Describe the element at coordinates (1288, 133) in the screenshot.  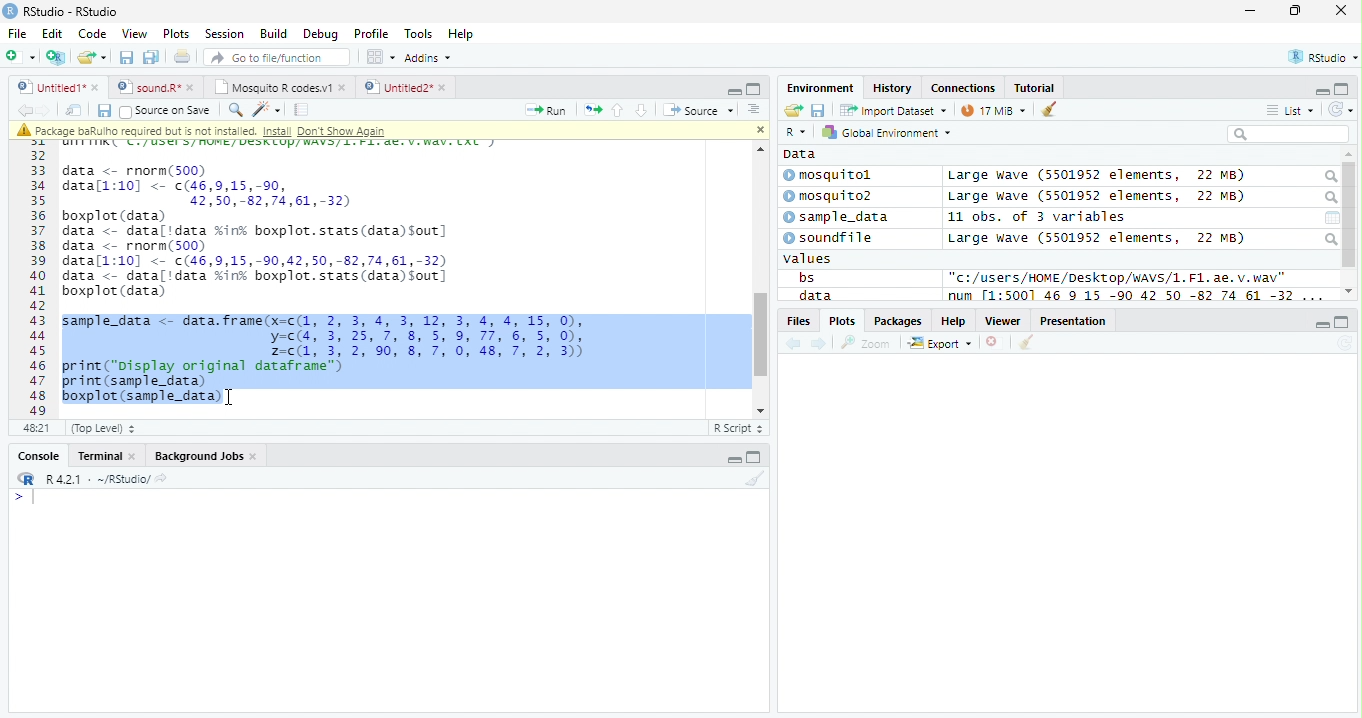
I see `search bar` at that location.